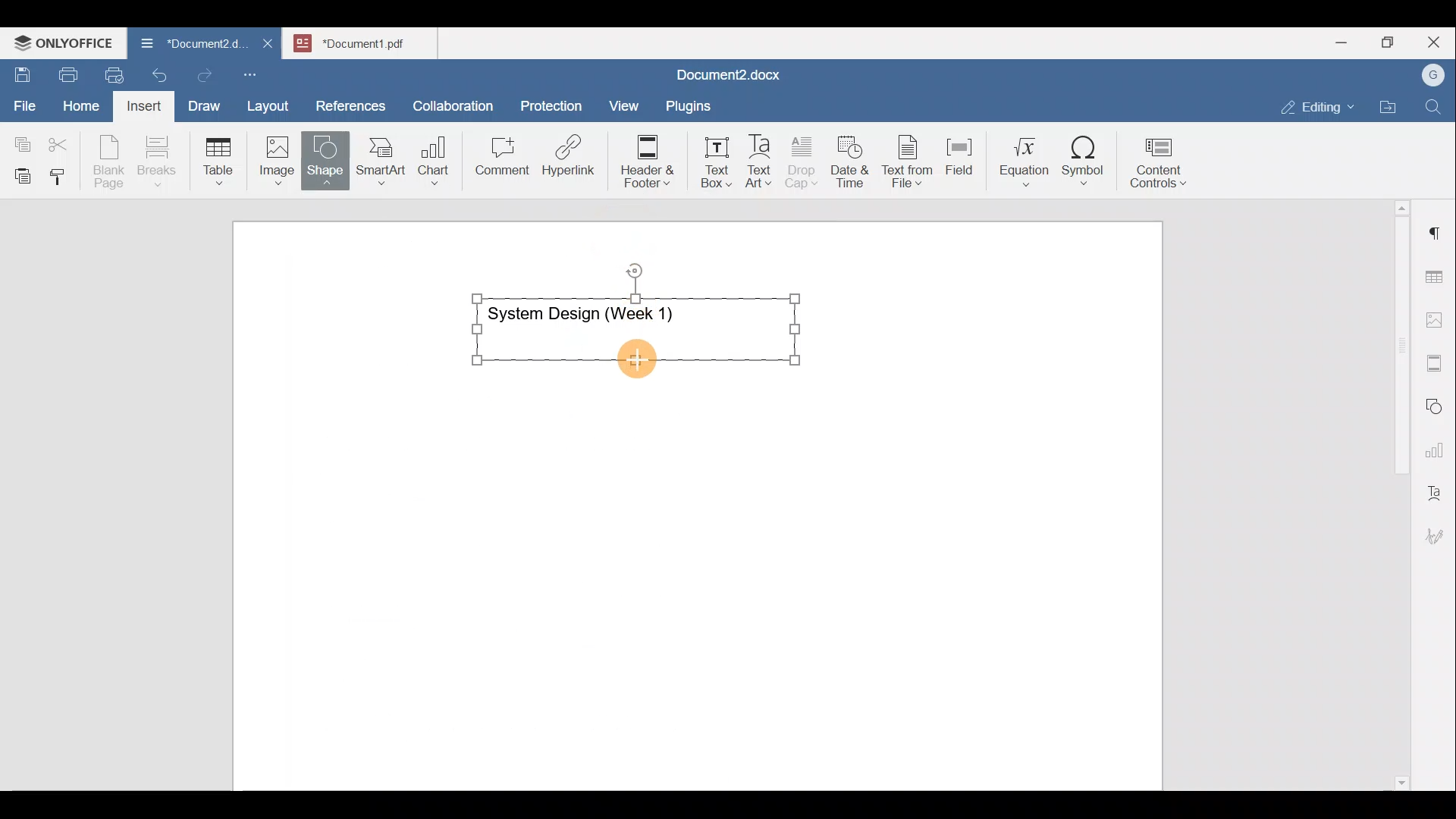 The image size is (1456, 819). What do you see at coordinates (21, 71) in the screenshot?
I see `Save` at bounding box center [21, 71].